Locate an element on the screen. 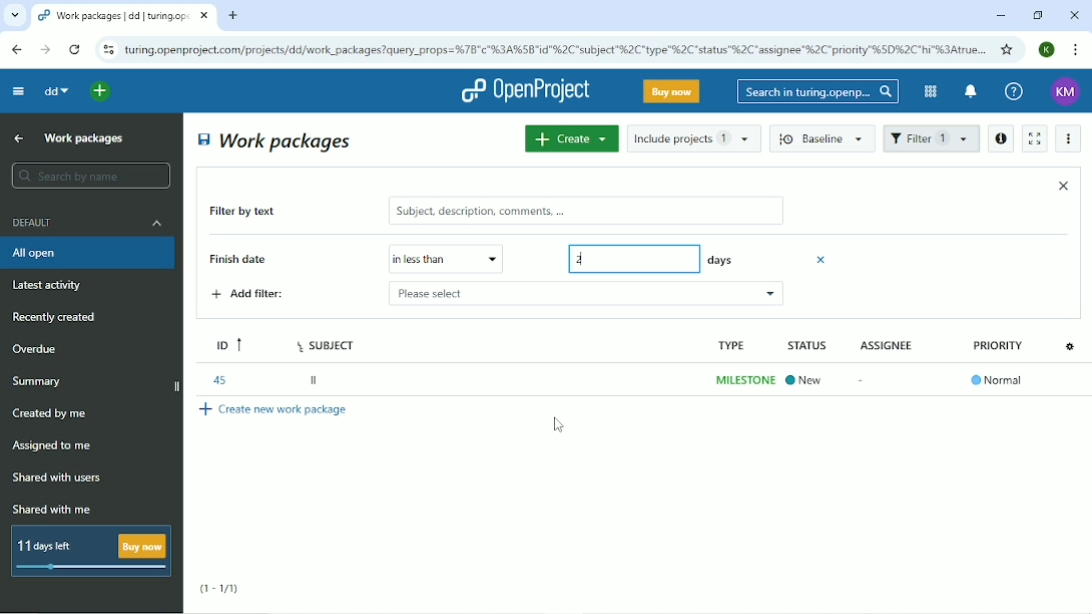  Bookmark this tab is located at coordinates (1007, 49).